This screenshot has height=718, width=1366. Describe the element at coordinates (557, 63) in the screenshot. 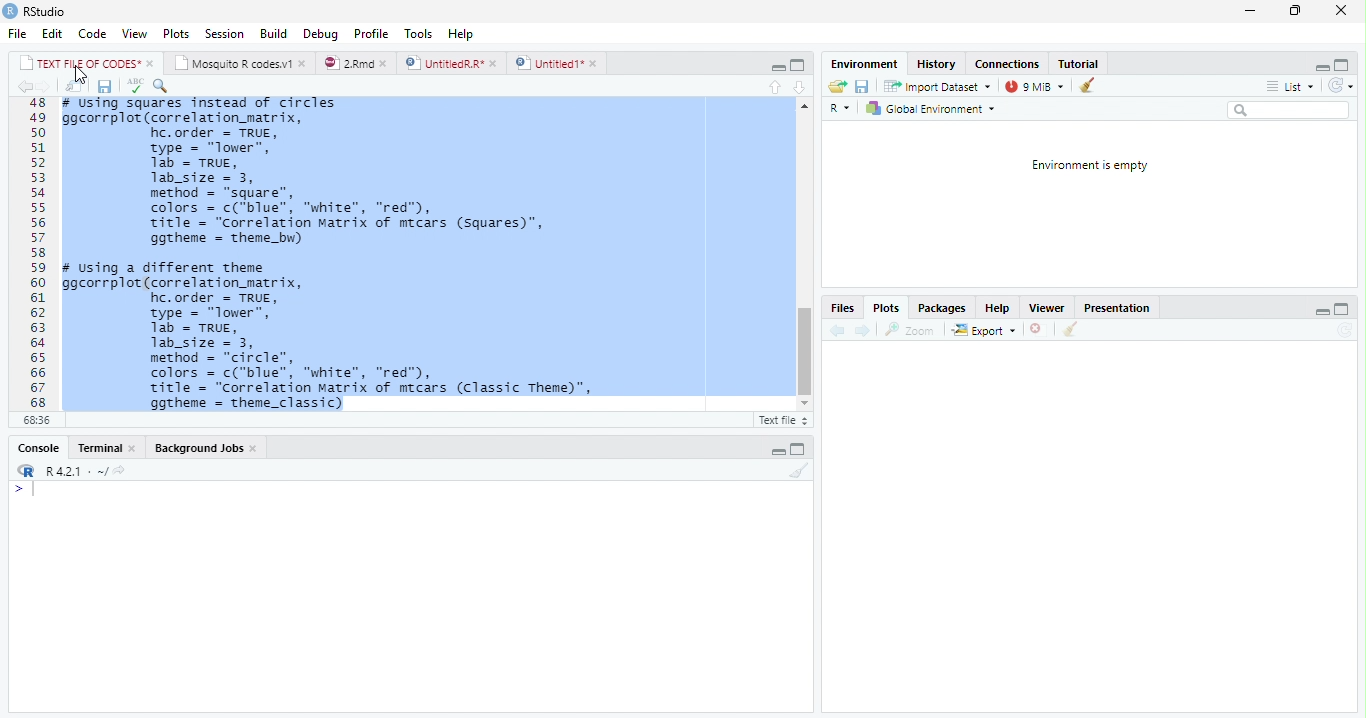

I see ` Untitied1` at that location.